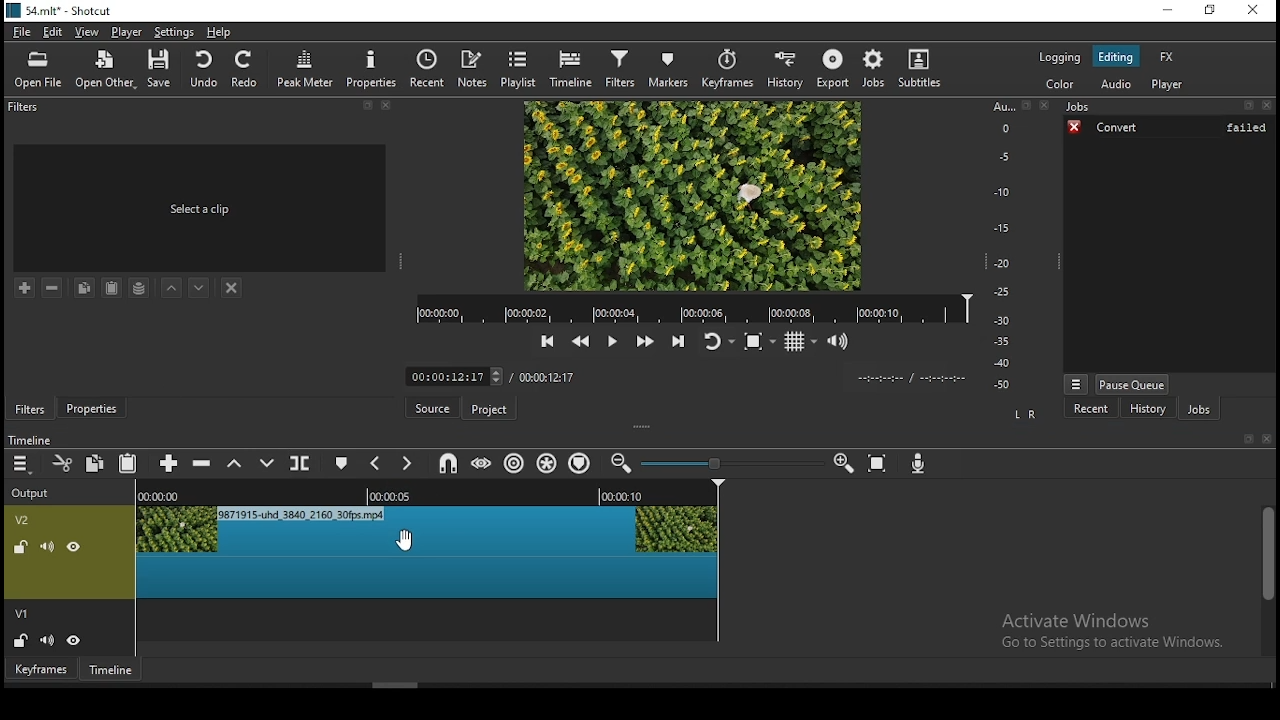  What do you see at coordinates (83, 287) in the screenshot?
I see `copy` at bounding box center [83, 287].